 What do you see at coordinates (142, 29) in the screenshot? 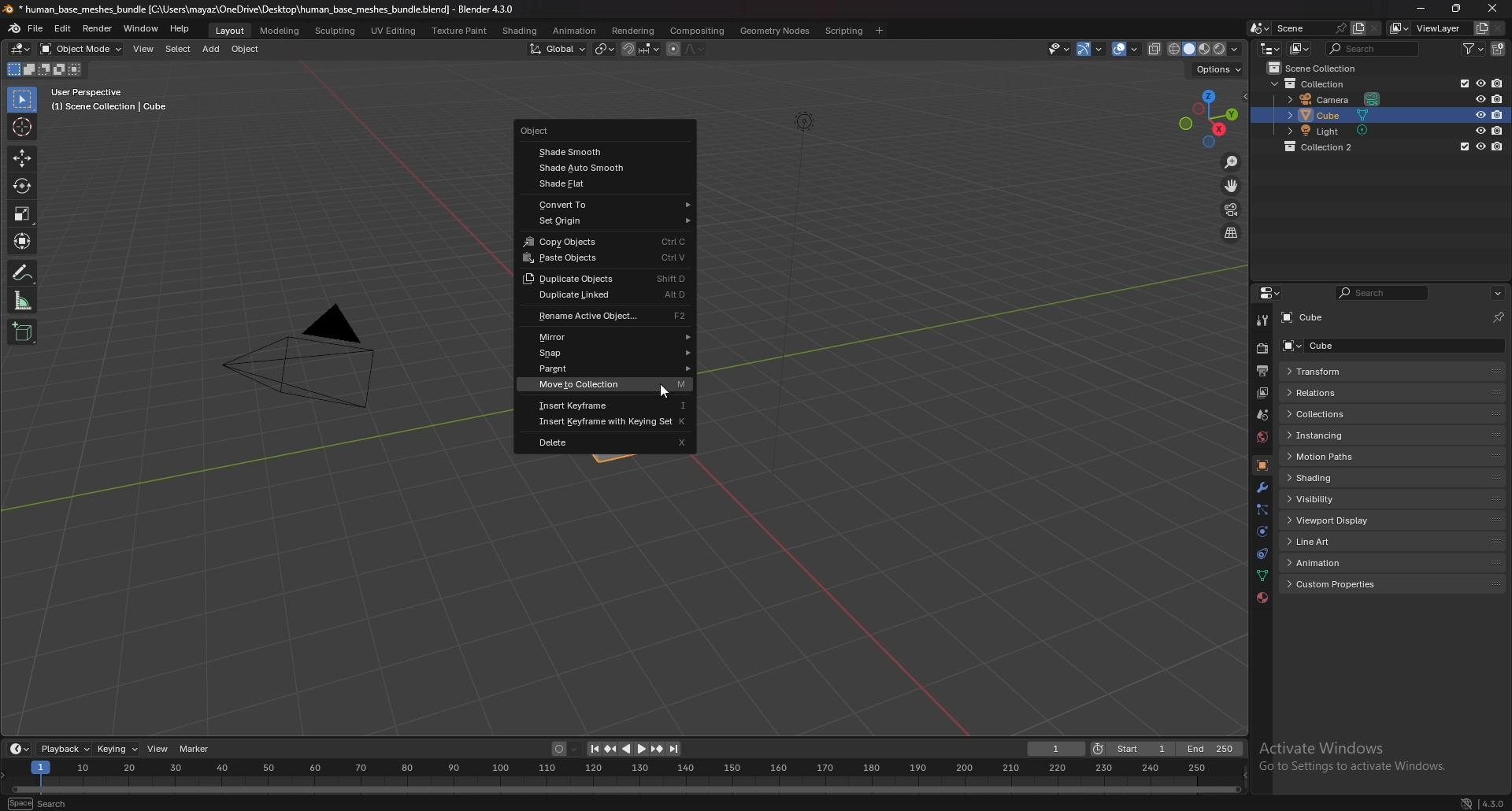
I see `window` at bounding box center [142, 29].